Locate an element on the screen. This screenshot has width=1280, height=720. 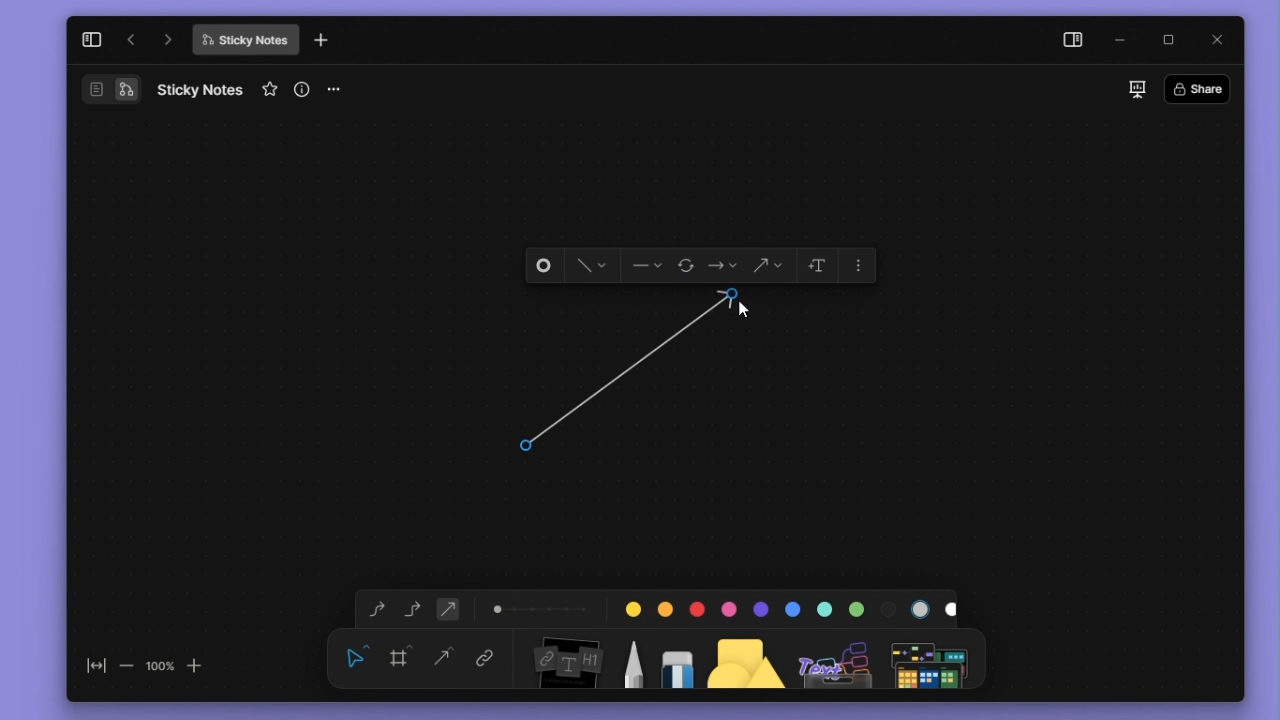
frame is located at coordinates (403, 656).